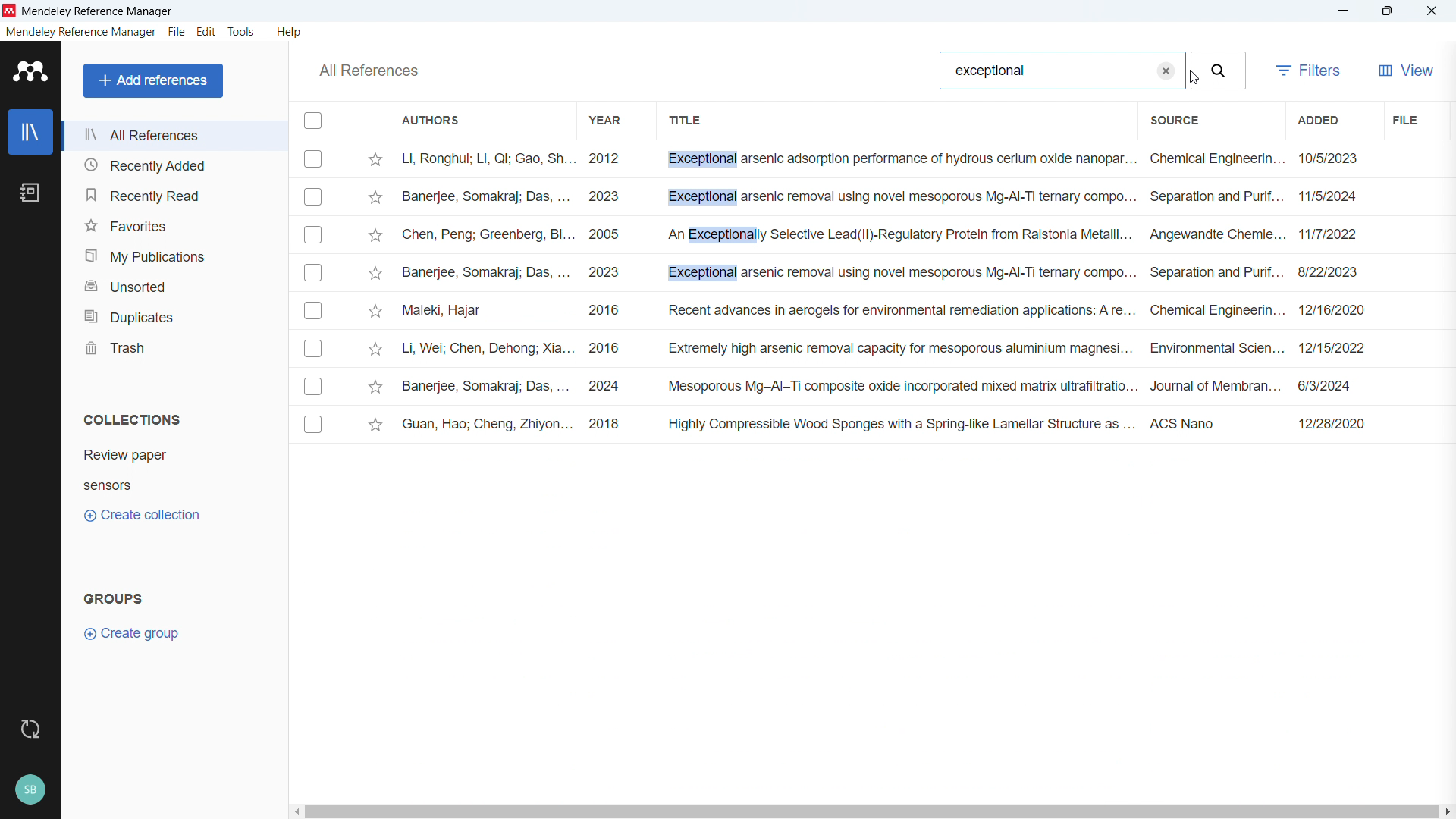 This screenshot has height=819, width=1456. I want to click on Horizontal scroll bar , so click(872, 813).